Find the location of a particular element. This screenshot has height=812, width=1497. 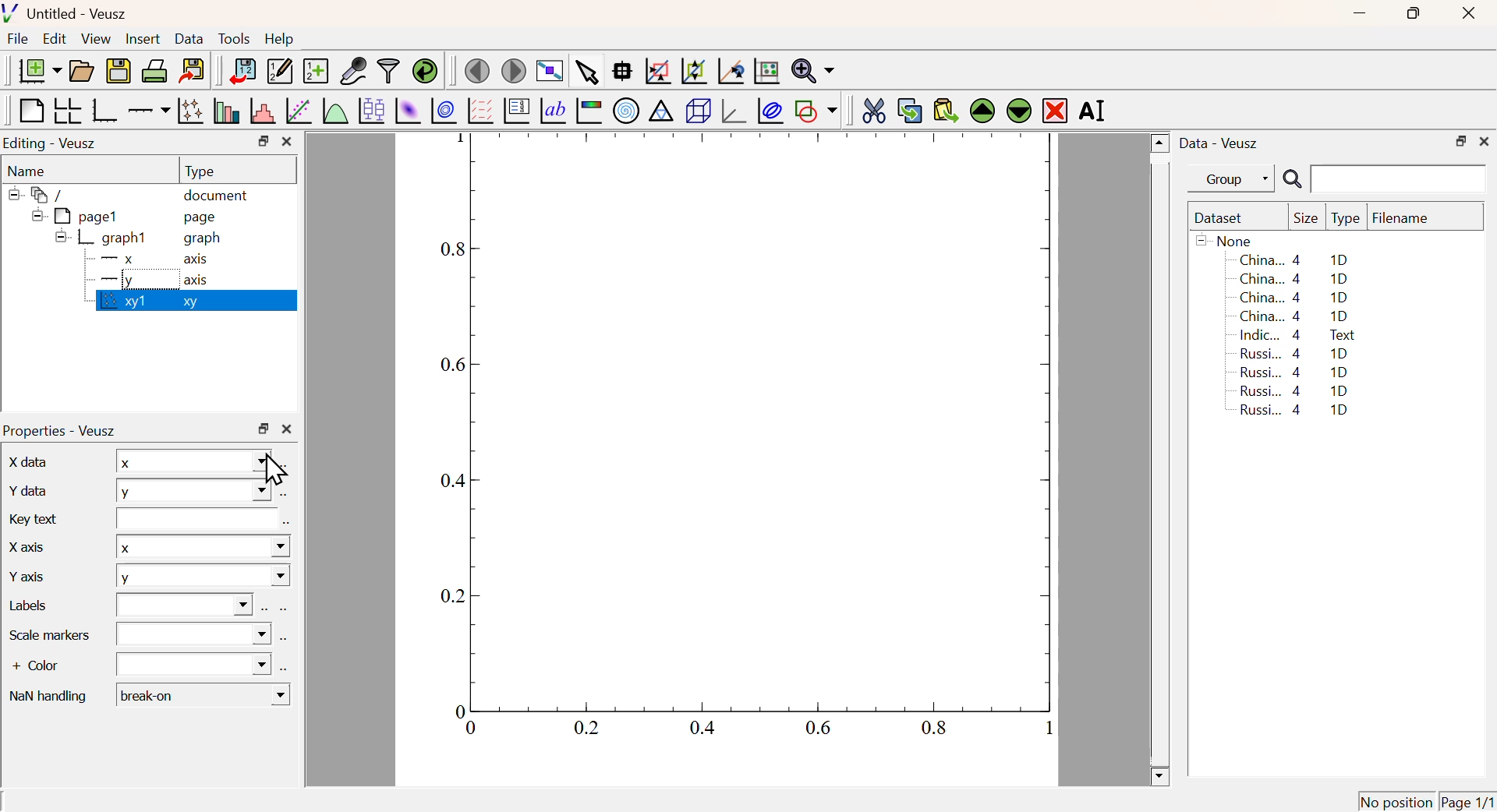

Data - Veusz is located at coordinates (1222, 144).